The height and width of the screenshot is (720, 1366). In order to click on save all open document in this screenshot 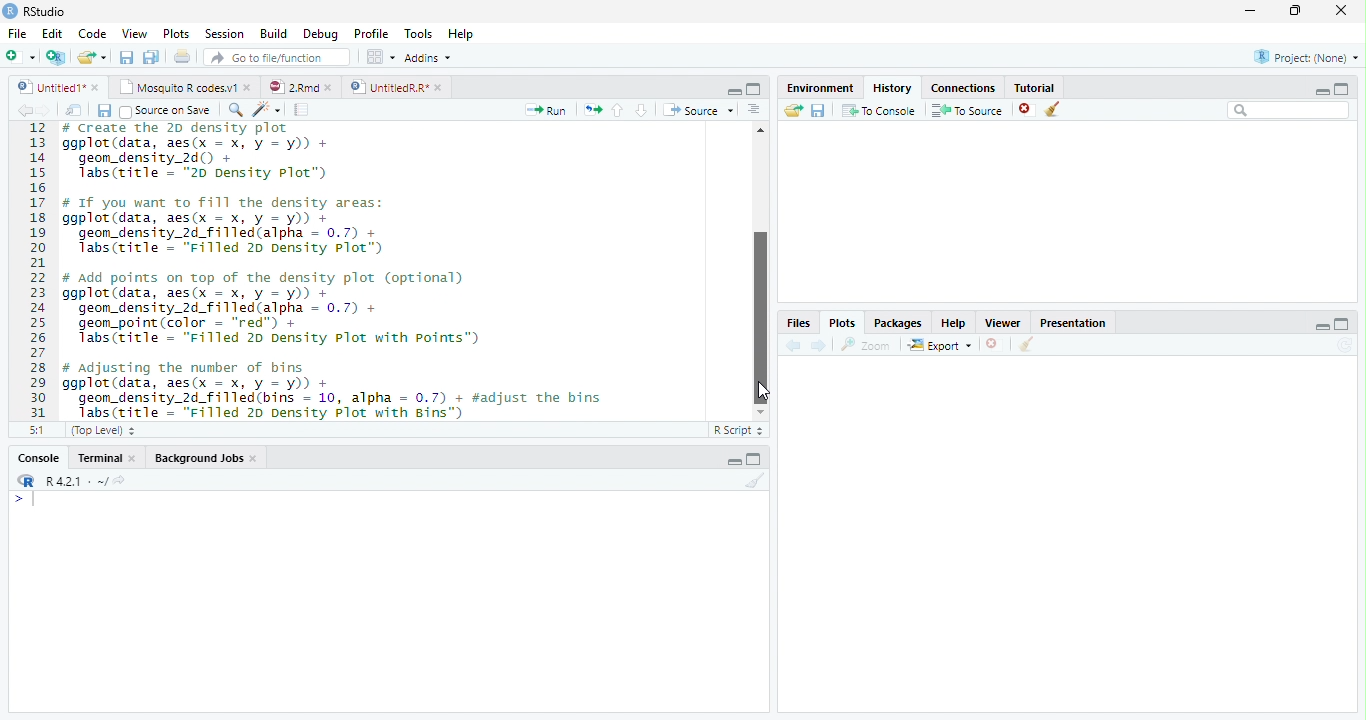, I will do `click(151, 56)`.